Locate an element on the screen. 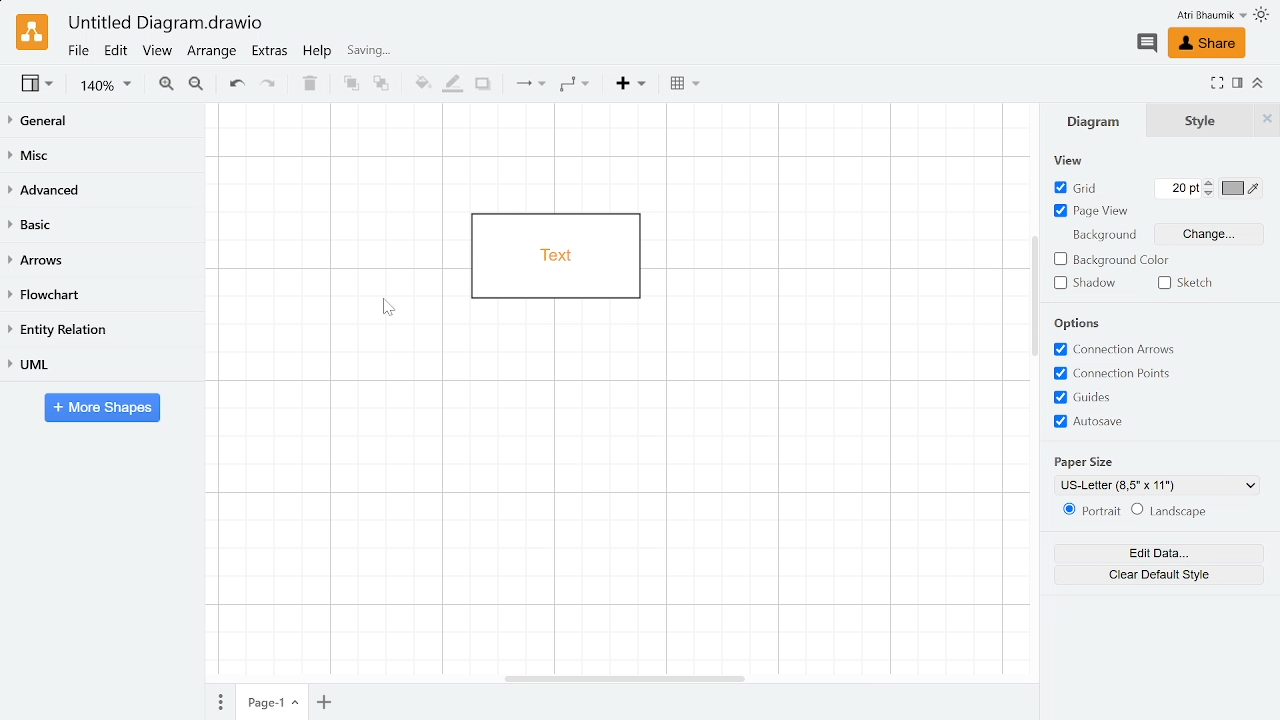 Image resolution: width=1280 pixels, height=720 pixels. Text inside a shape is located at coordinates (550, 255).